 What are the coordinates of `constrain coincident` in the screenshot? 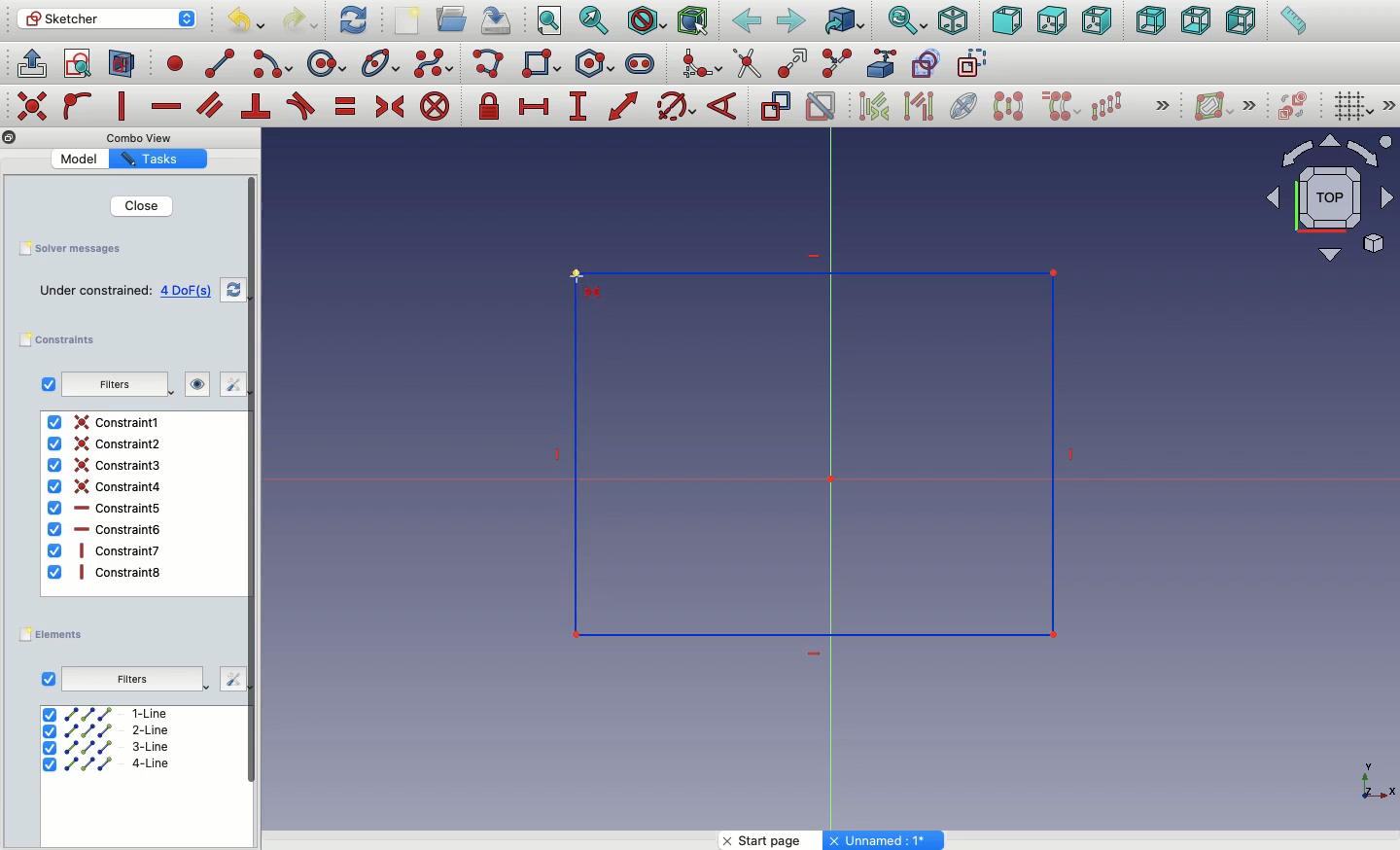 It's located at (34, 106).